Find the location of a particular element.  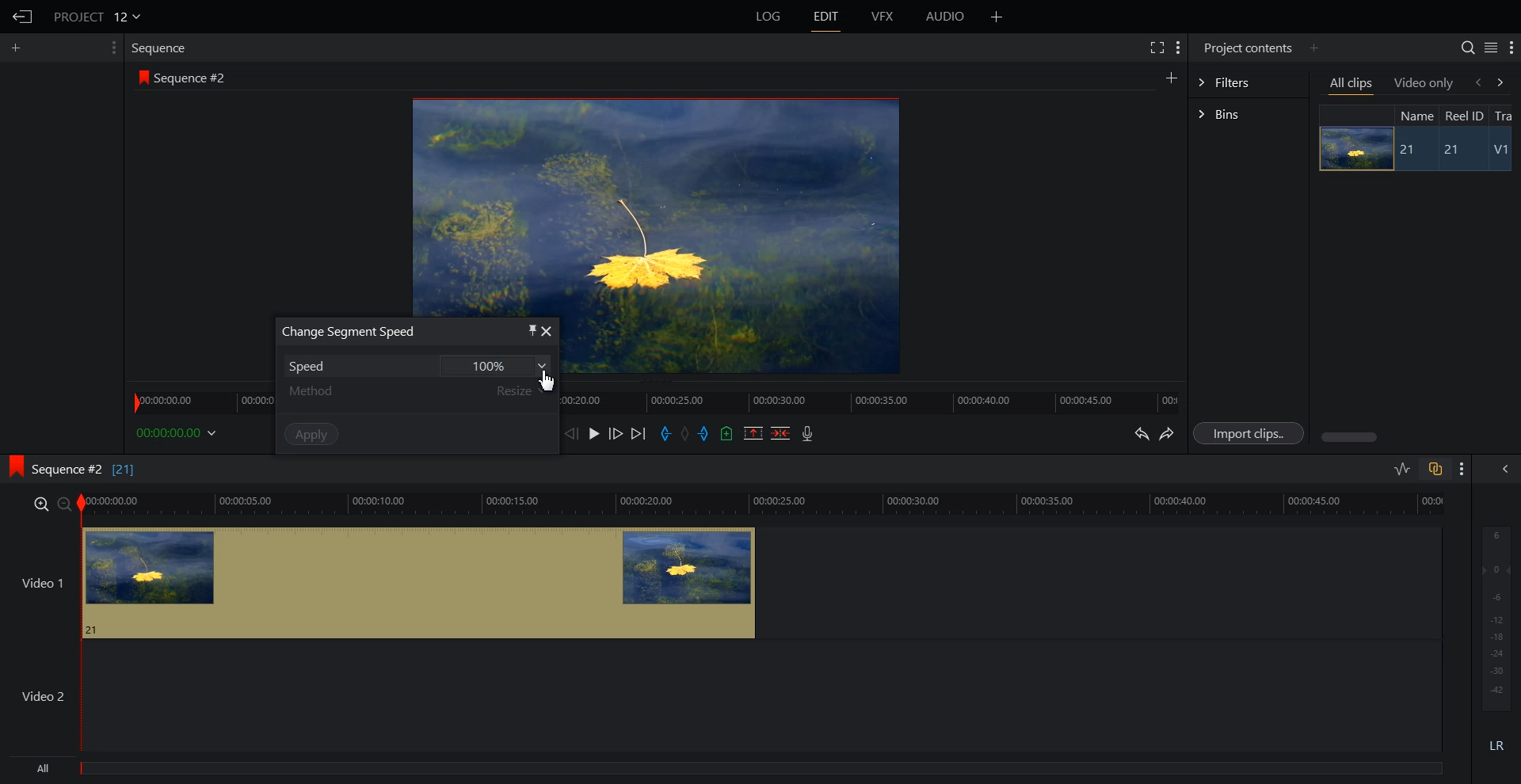

Sequence #2 is located at coordinates (194, 78).